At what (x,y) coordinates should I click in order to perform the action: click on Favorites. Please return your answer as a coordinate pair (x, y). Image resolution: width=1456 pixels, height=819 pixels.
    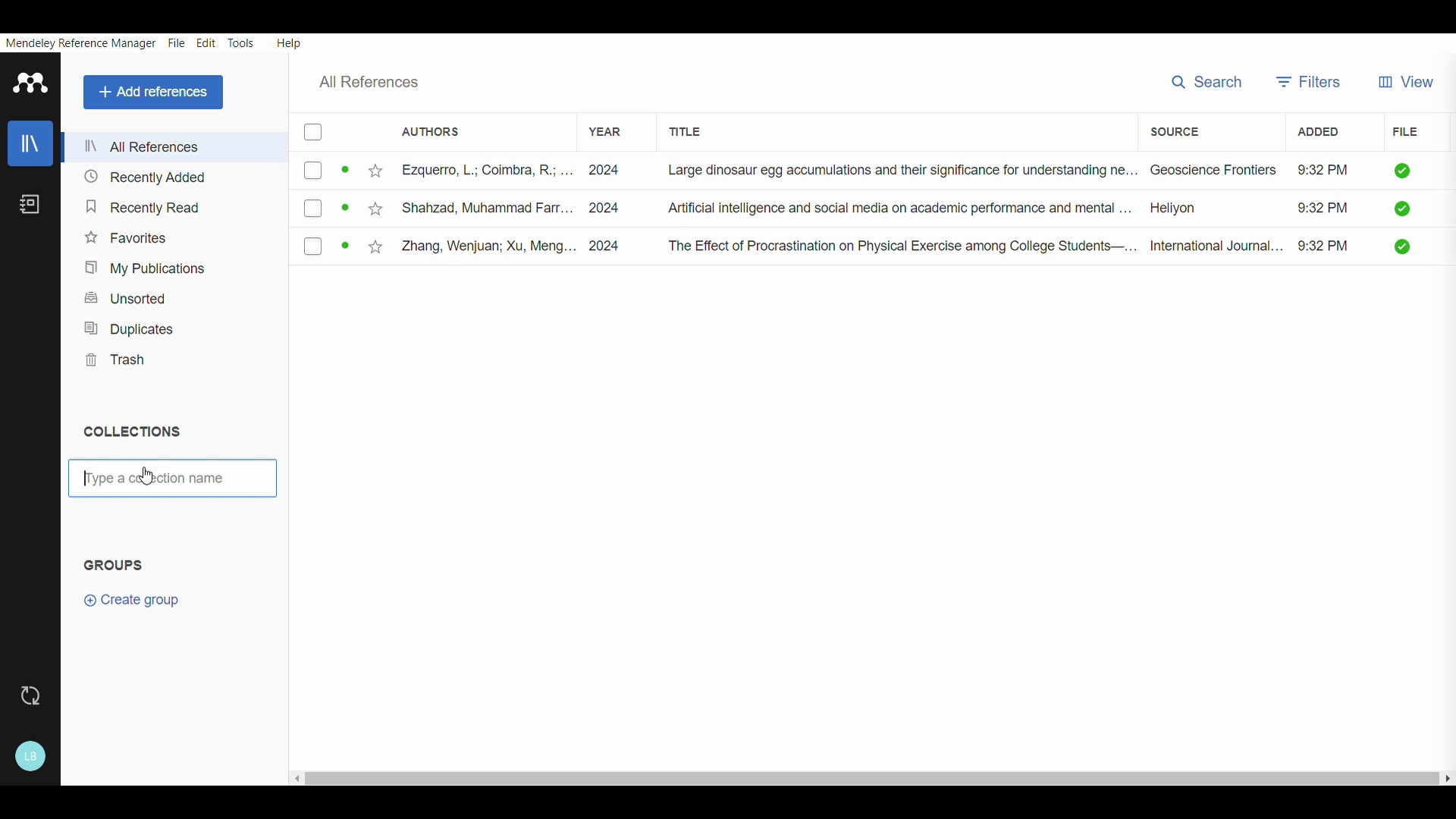
    Looking at the image, I should click on (130, 234).